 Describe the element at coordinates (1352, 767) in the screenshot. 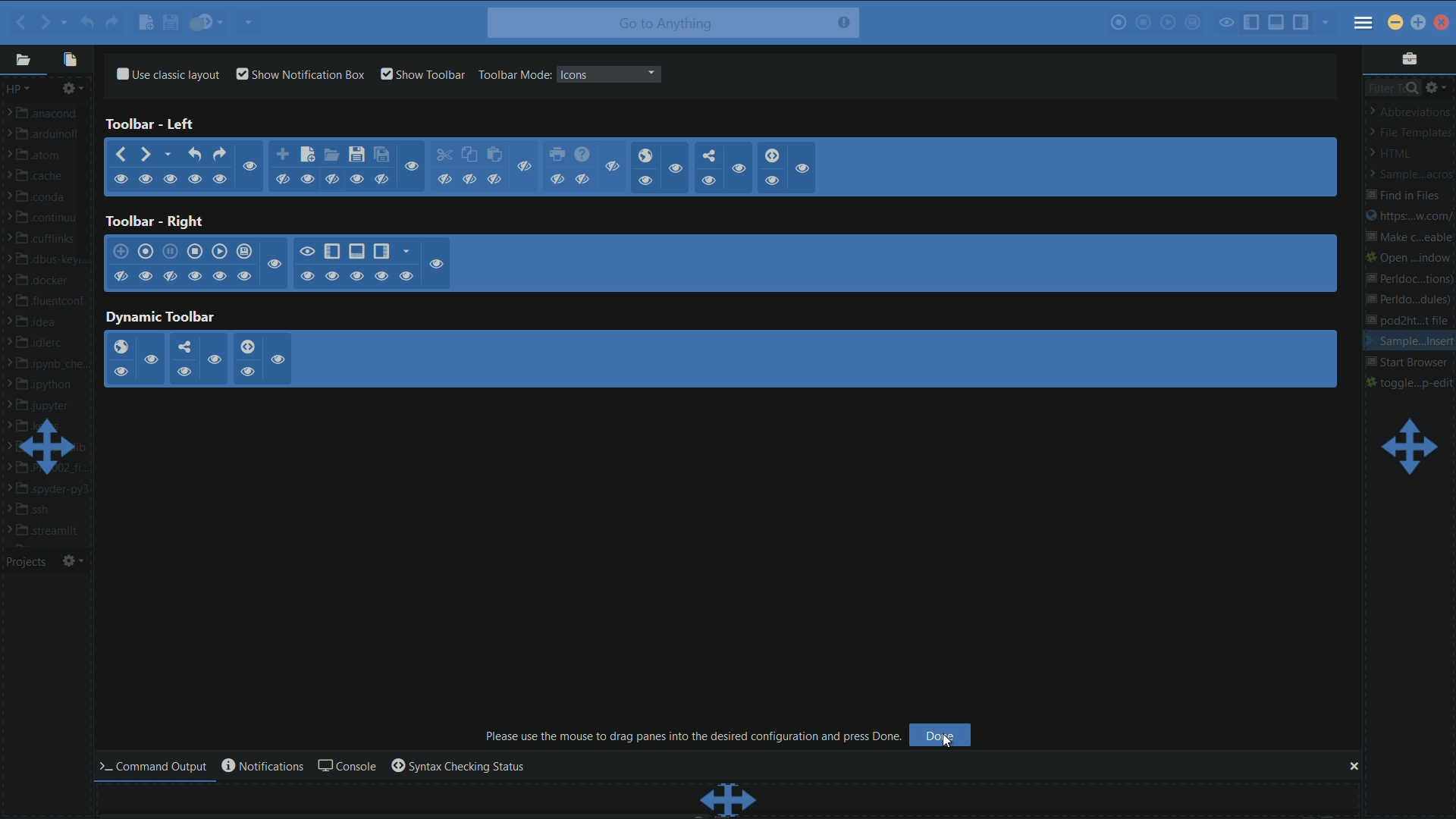

I see `close pane` at that location.